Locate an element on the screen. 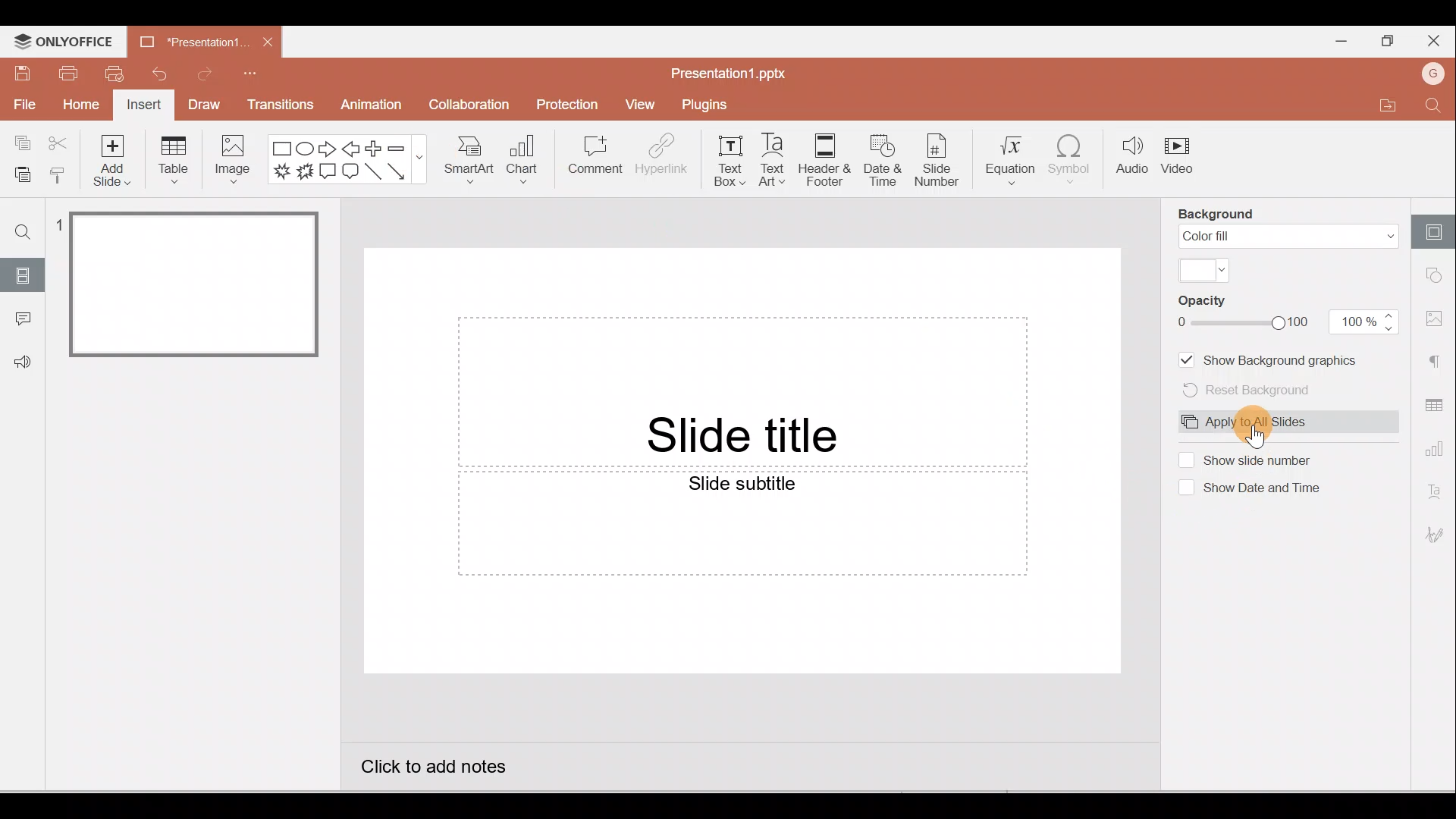 This screenshot has width=1456, height=819. Show date and time is located at coordinates (1270, 490).